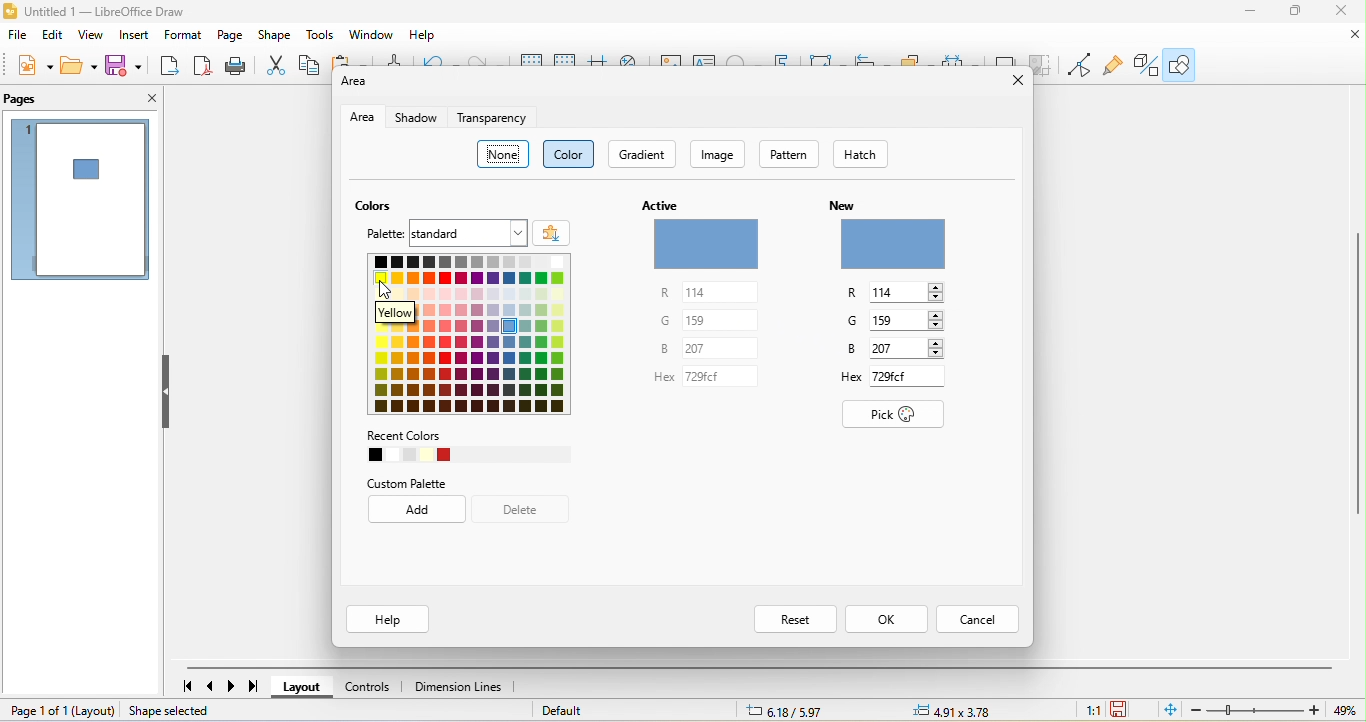 This screenshot has height=722, width=1366. What do you see at coordinates (402, 313) in the screenshot?
I see `yellow` at bounding box center [402, 313].